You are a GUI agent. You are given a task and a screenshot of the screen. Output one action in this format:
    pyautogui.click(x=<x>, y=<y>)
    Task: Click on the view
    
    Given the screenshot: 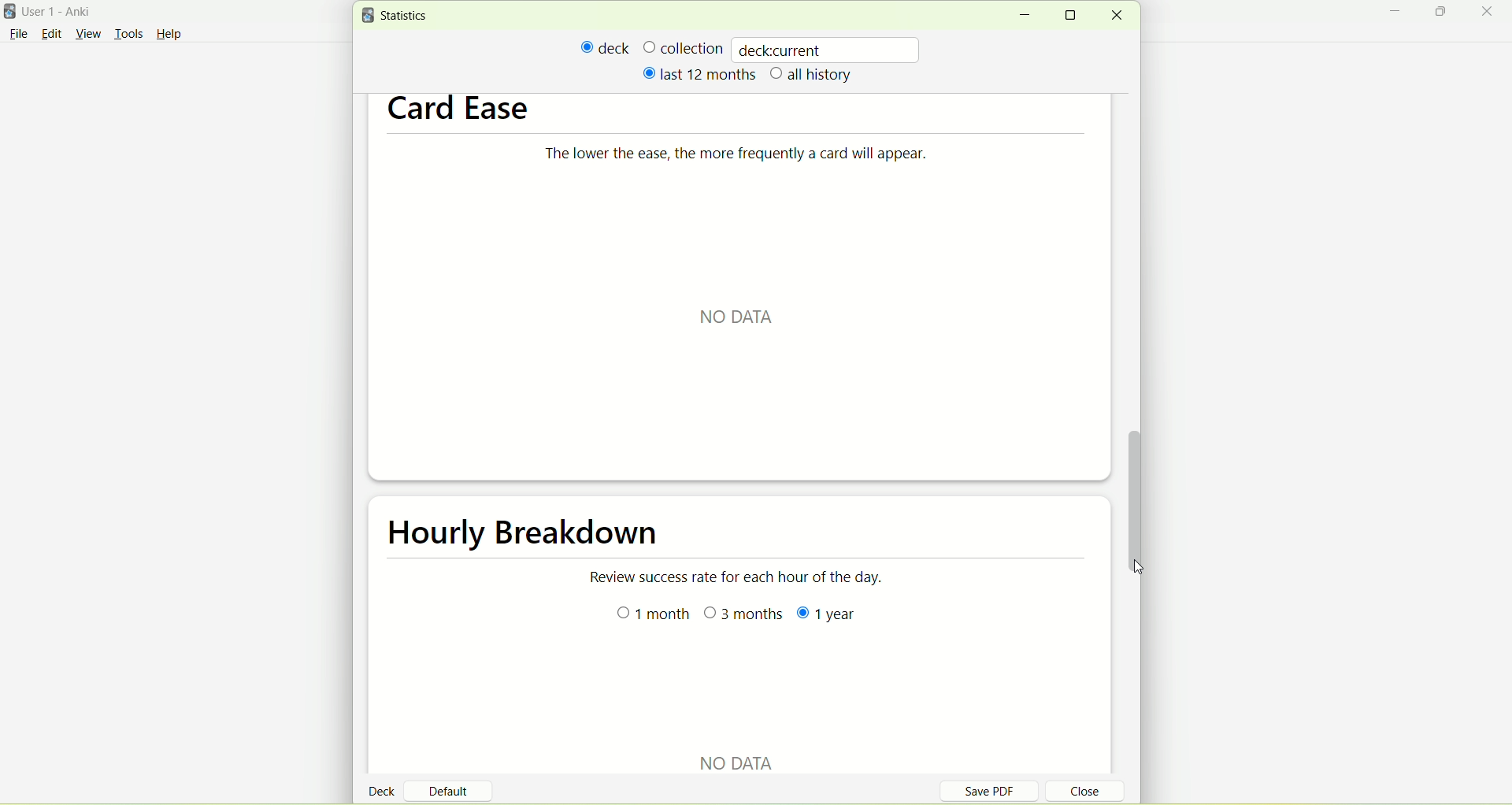 What is the action you would take?
    pyautogui.click(x=91, y=35)
    